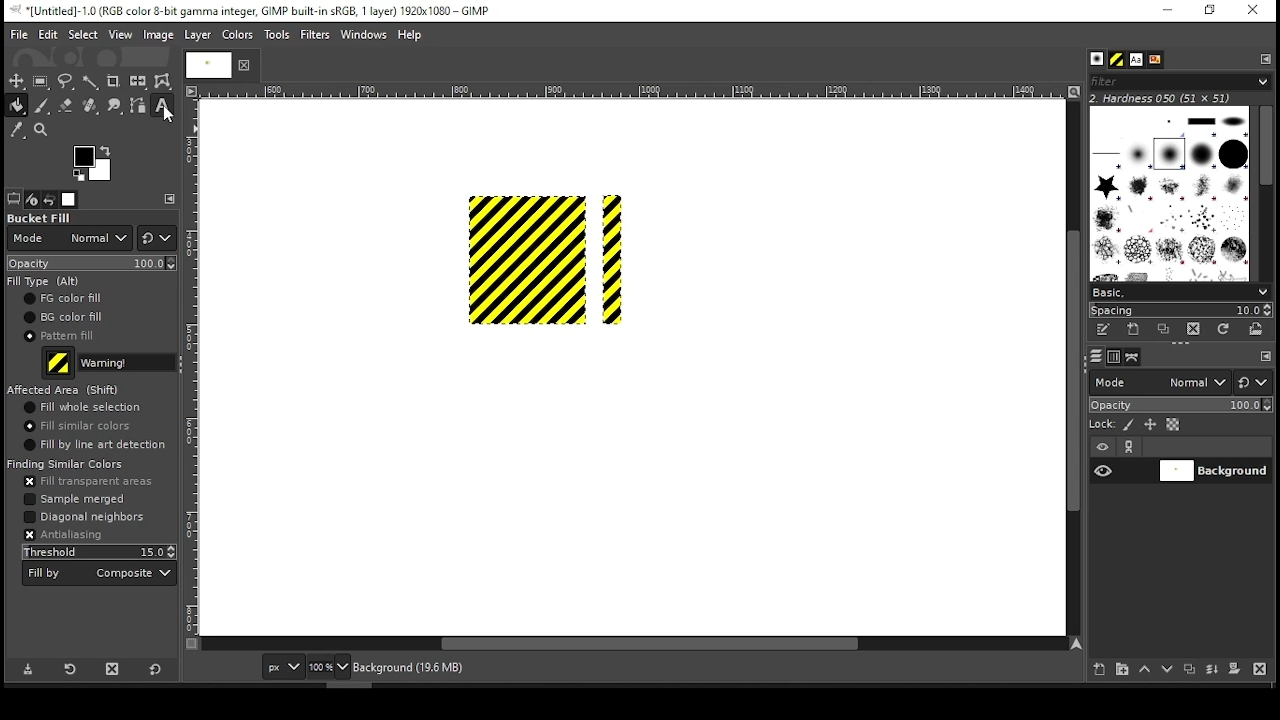  Describe the element at coordinates (1129, 447) in the screenshot. I see `link` at that location.